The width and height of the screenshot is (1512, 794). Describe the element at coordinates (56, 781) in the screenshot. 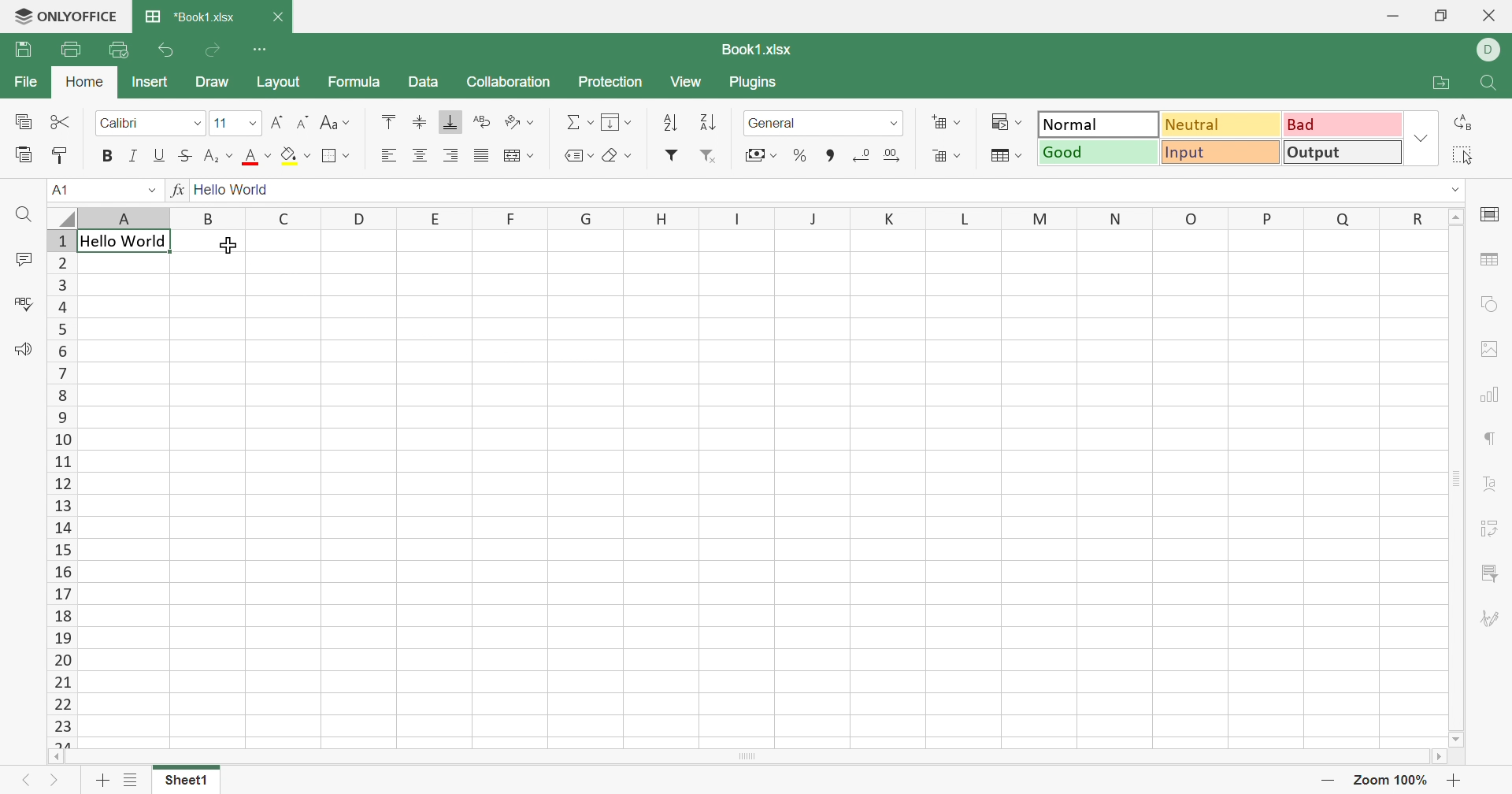

I see `Next` at that location.